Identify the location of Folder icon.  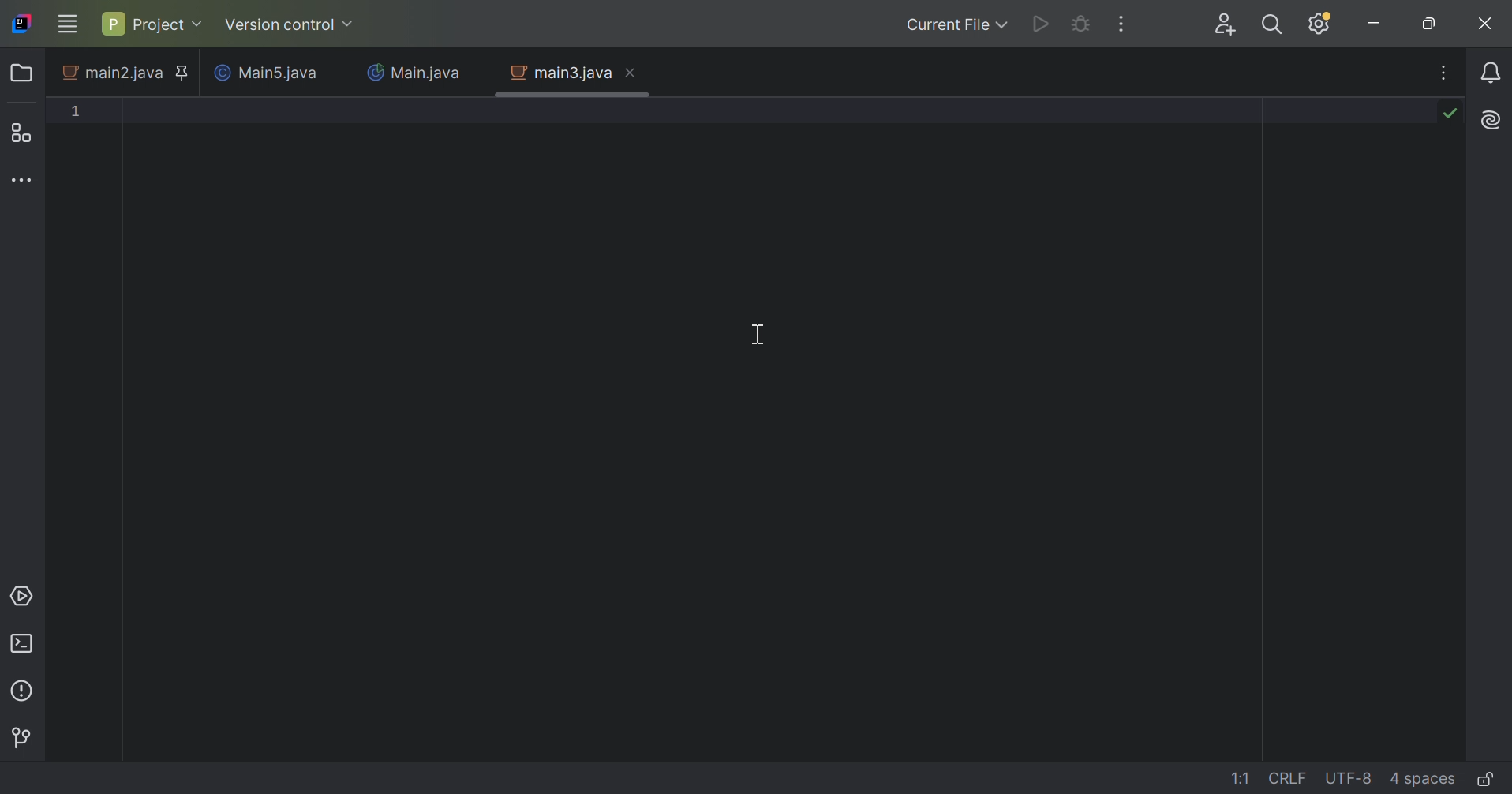
(20, 73).